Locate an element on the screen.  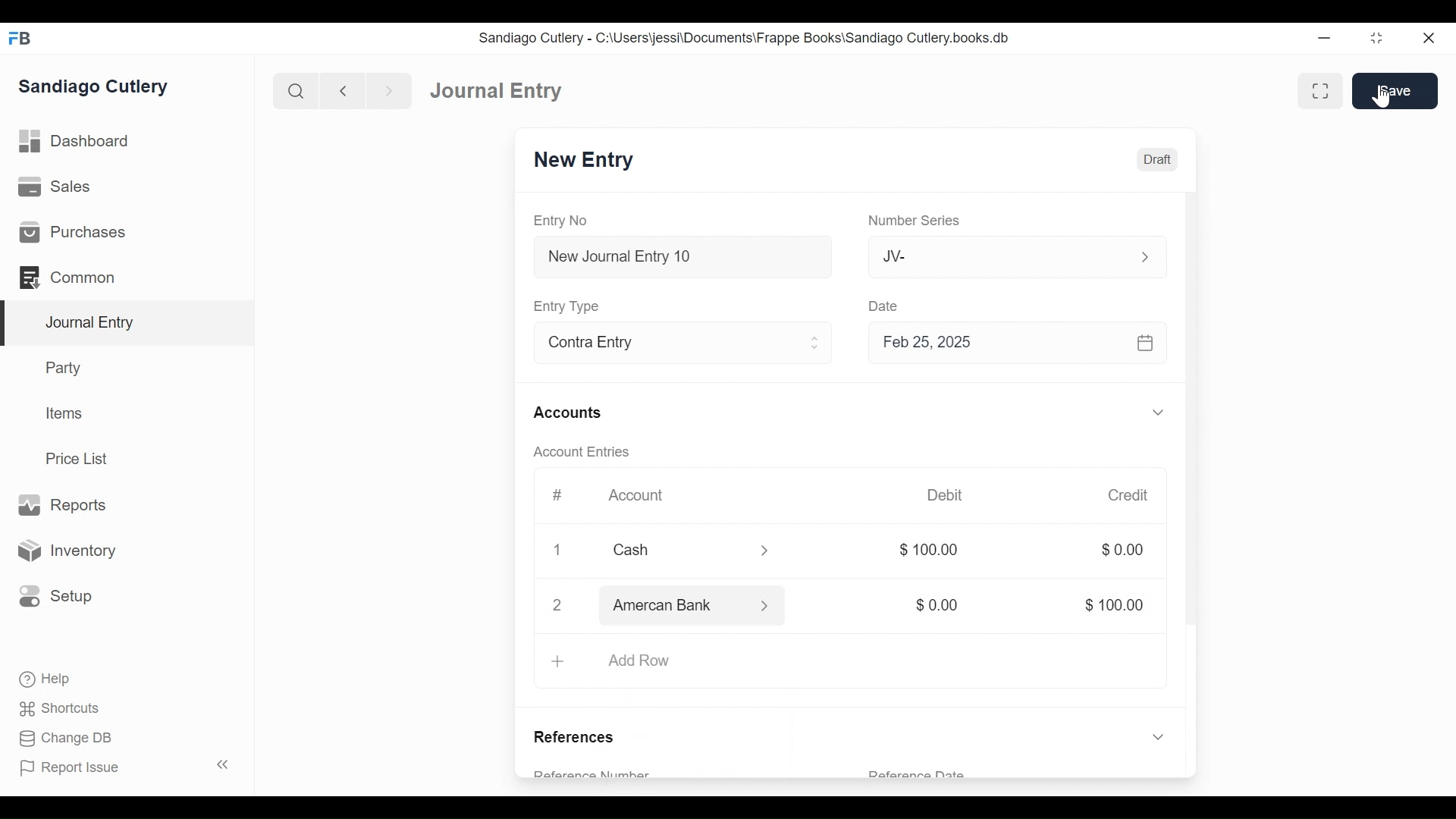
Expand is located at coordinates (1158, 413).